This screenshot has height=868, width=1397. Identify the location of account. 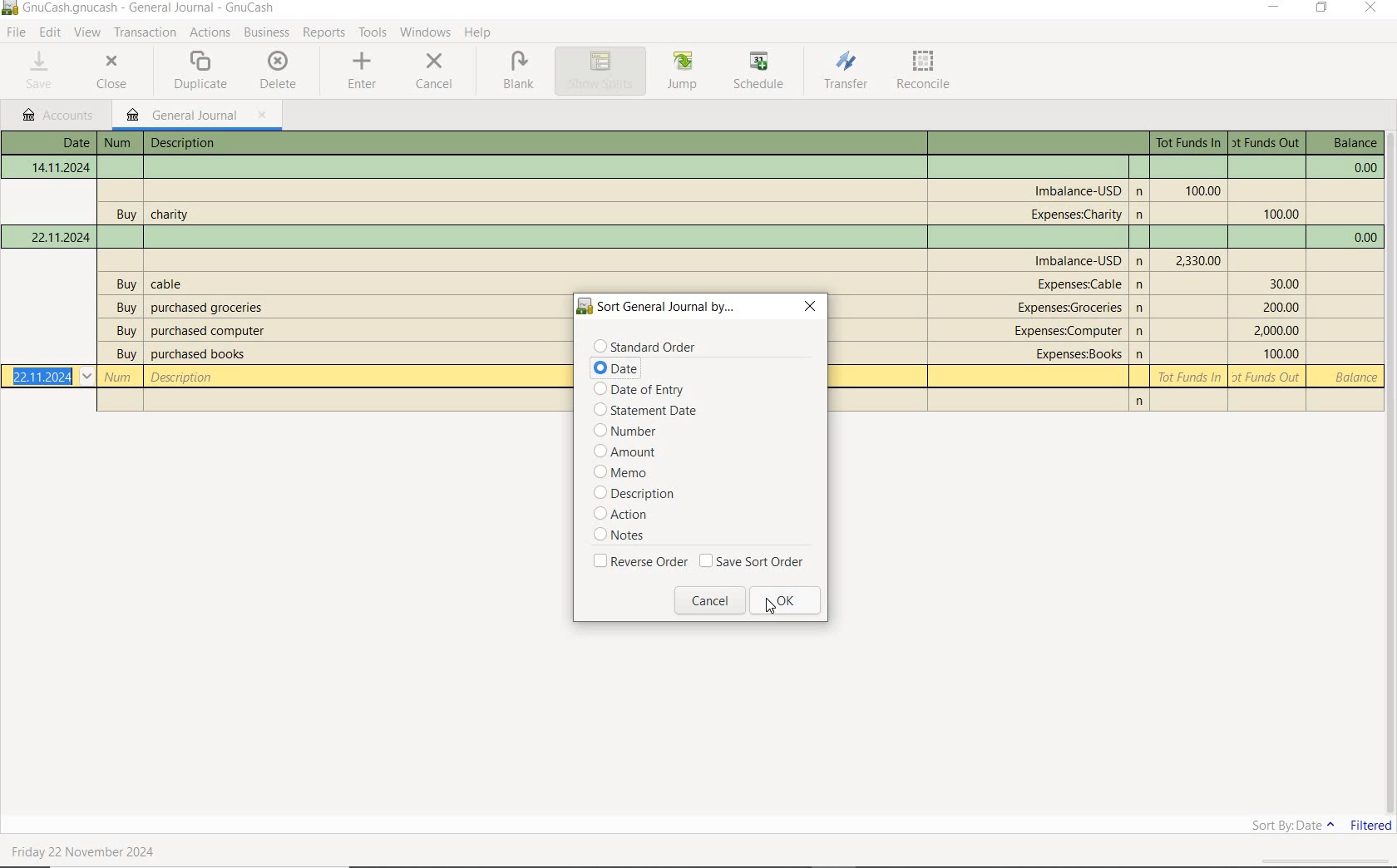
(1075, 355).